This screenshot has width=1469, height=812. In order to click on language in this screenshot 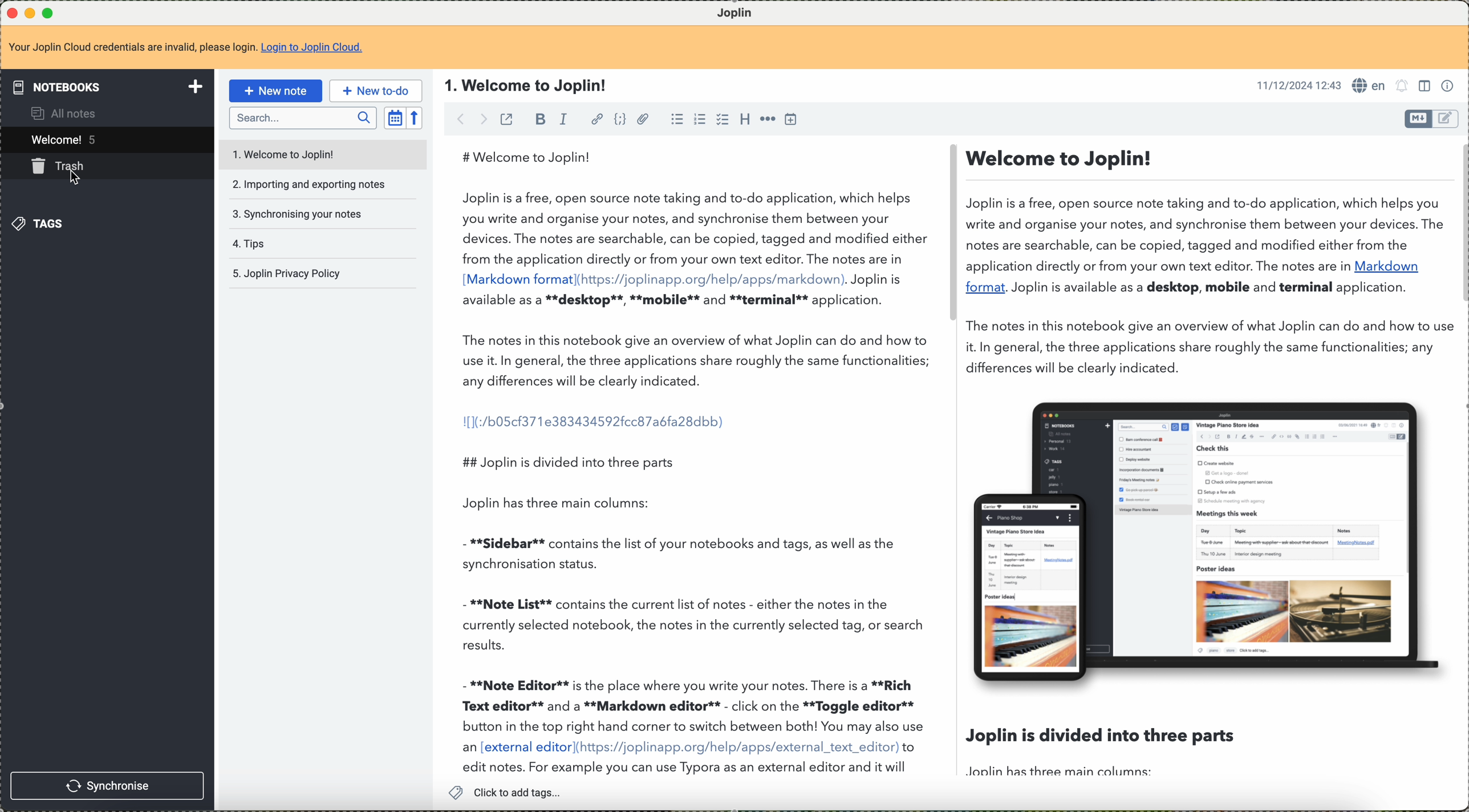, I will do `click(1370, 86)`.